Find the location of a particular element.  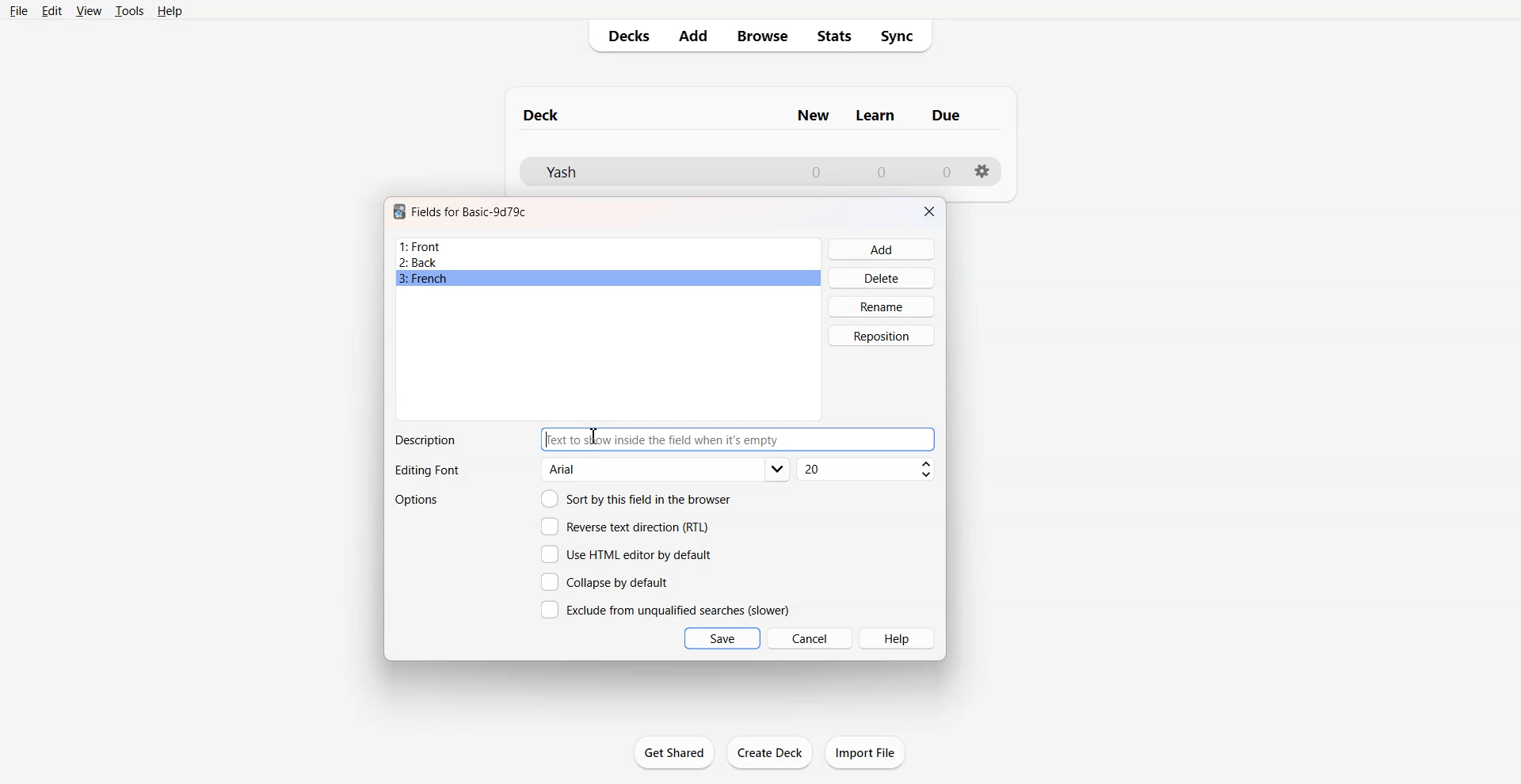

Sync is located at coordinates (902, 36).